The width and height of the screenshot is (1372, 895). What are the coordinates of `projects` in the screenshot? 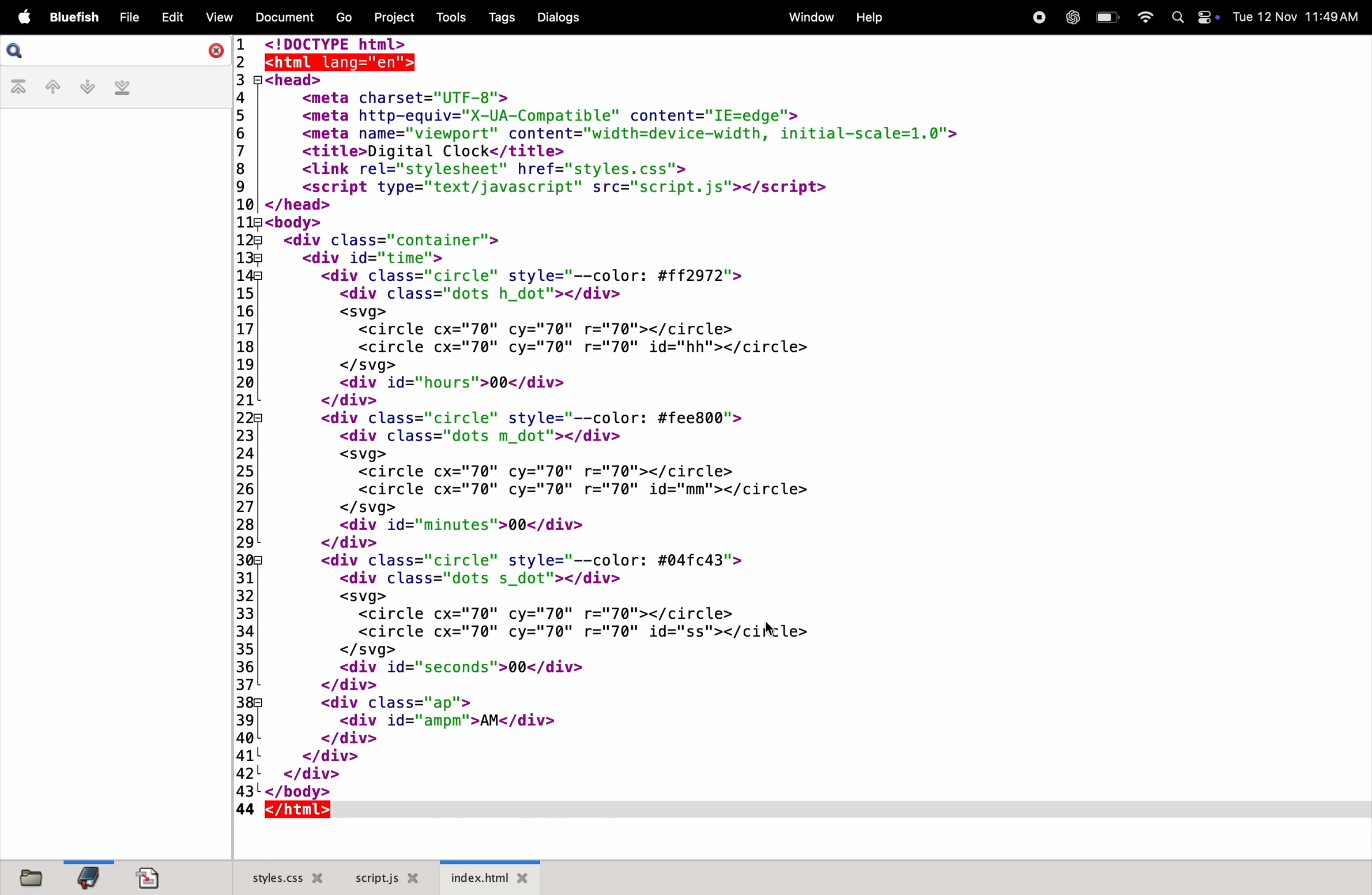 It's located at (395, 18).